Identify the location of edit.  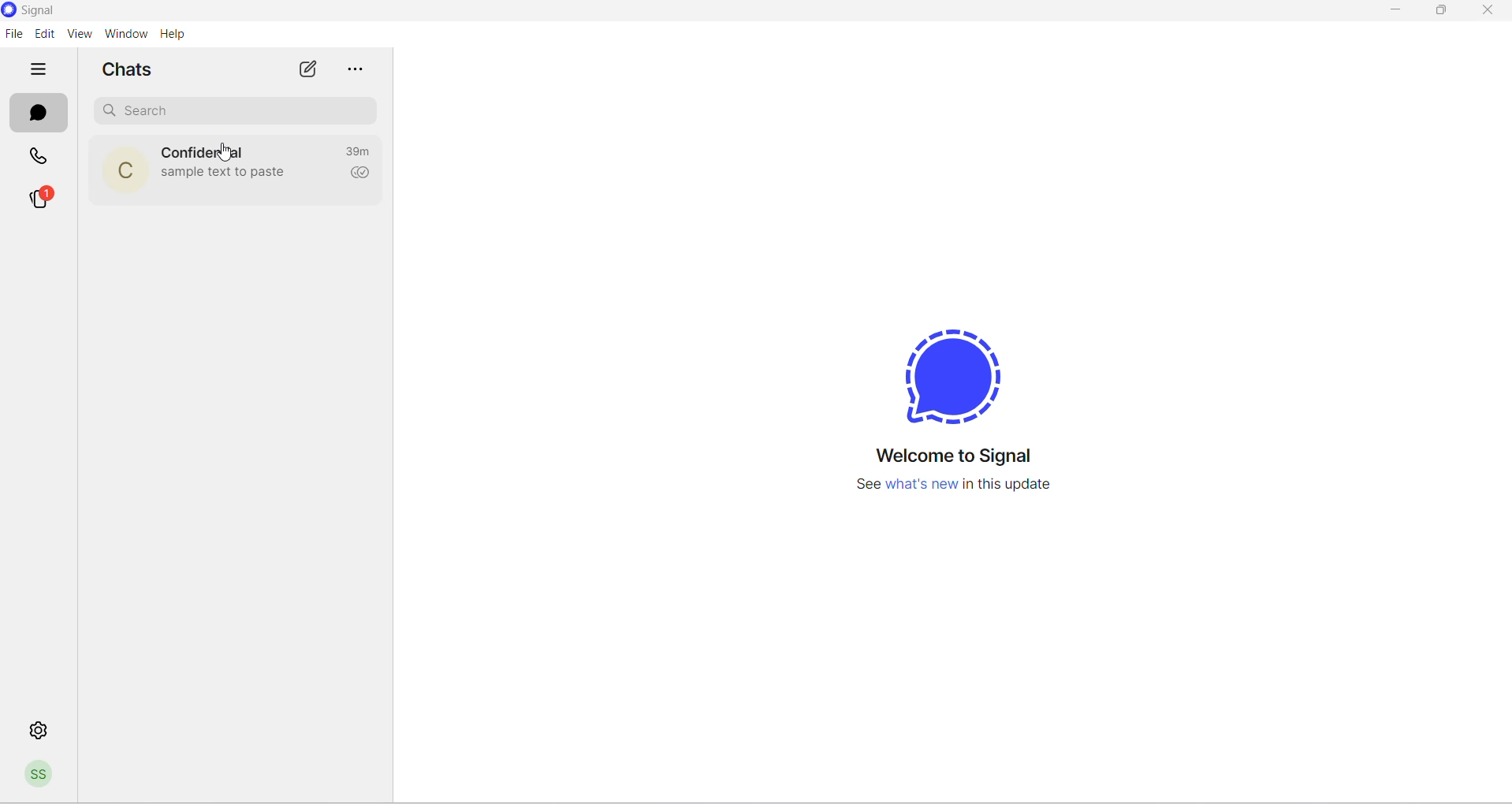
(42, 33).